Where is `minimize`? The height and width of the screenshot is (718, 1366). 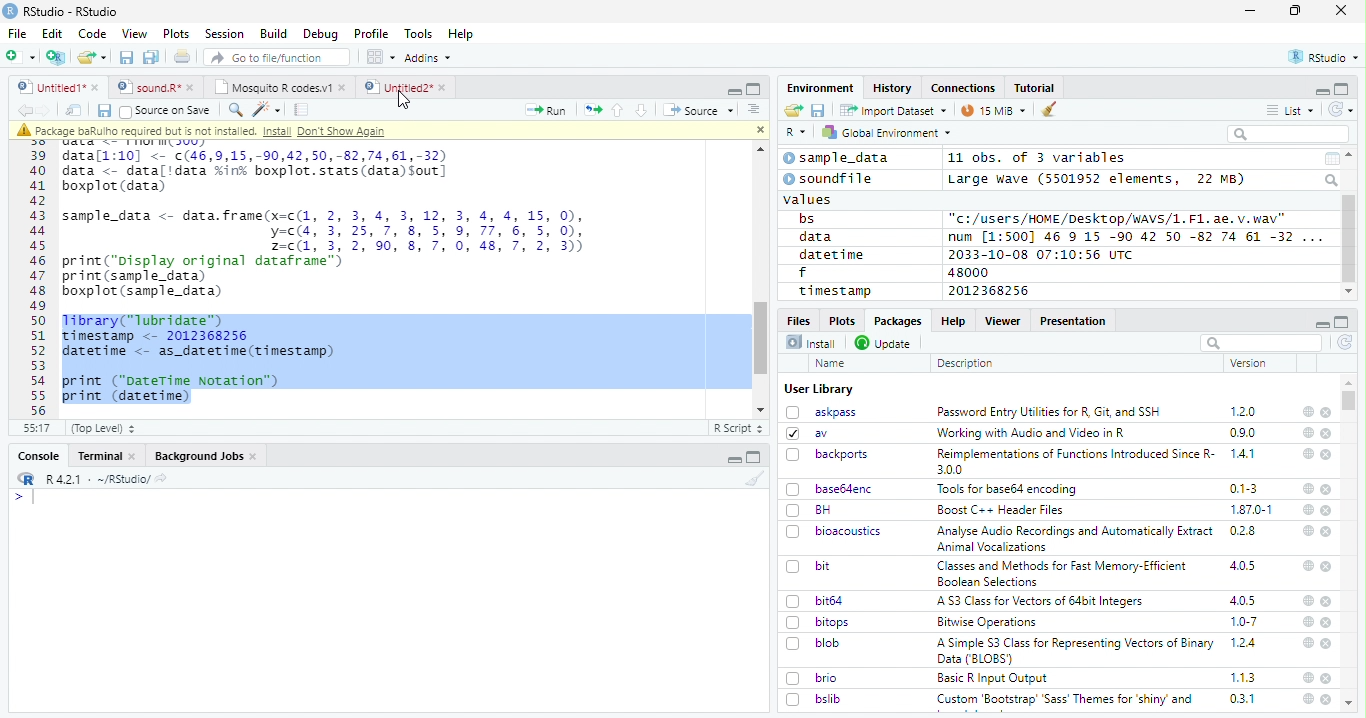
minimize is located at coordinates (1253, 11).